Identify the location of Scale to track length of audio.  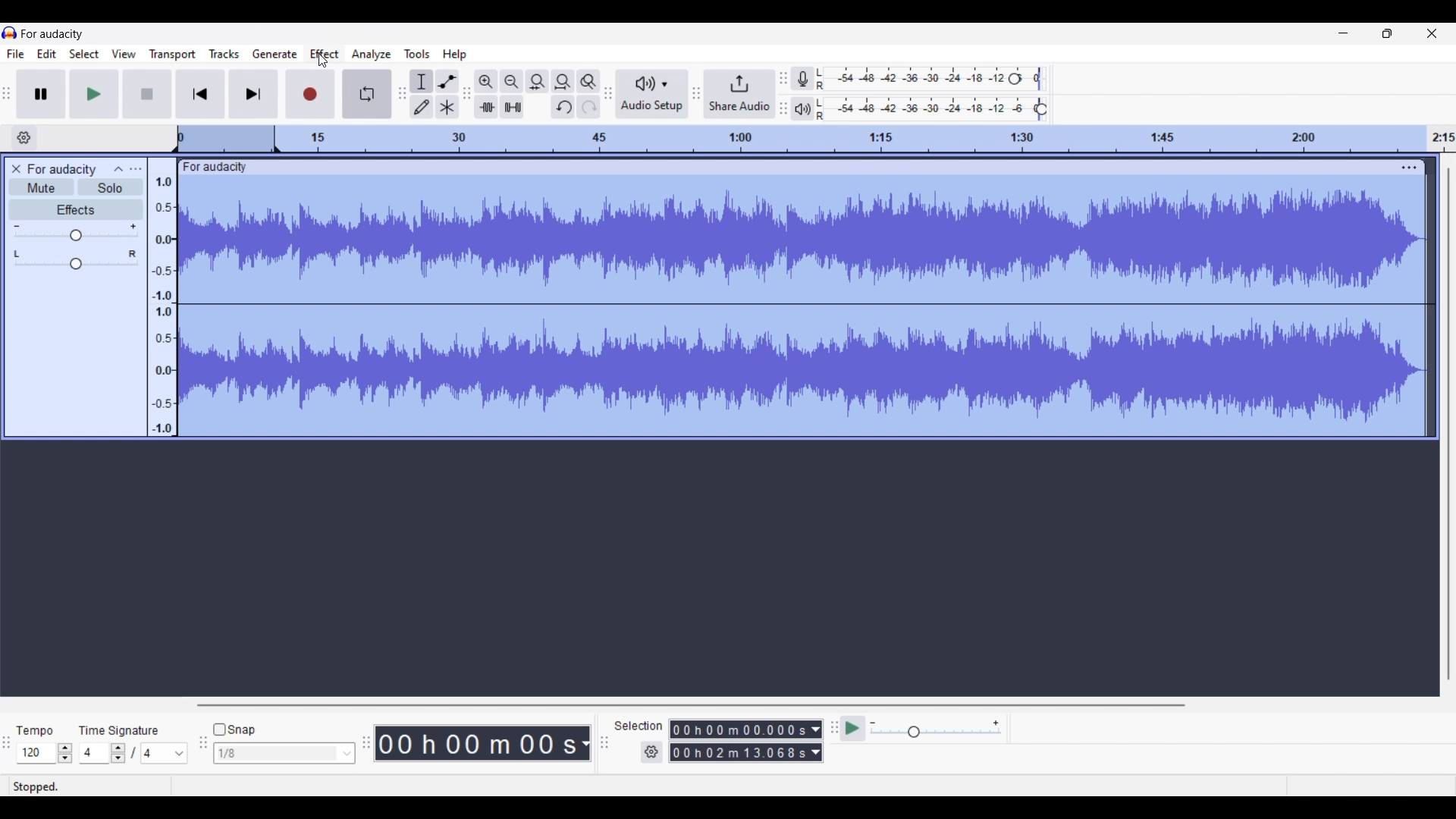
(870, 139).